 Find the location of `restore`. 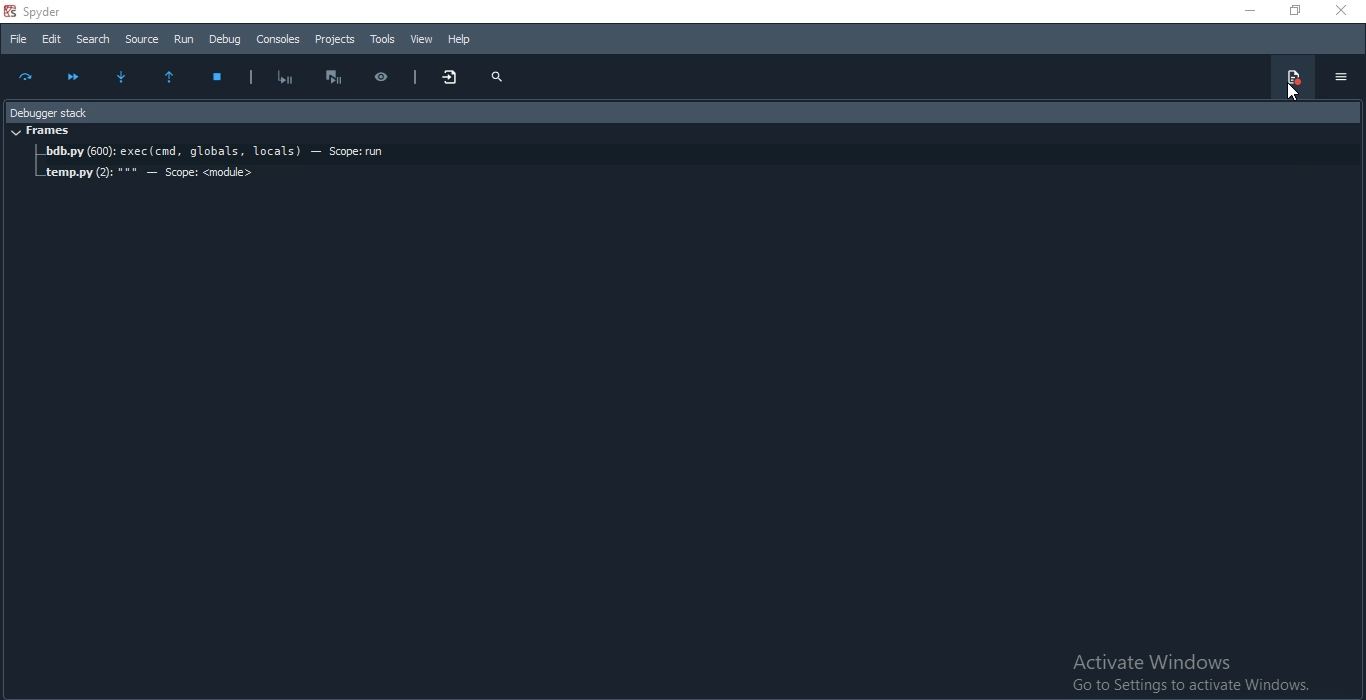

restore is located at coordinates (1290, 11).